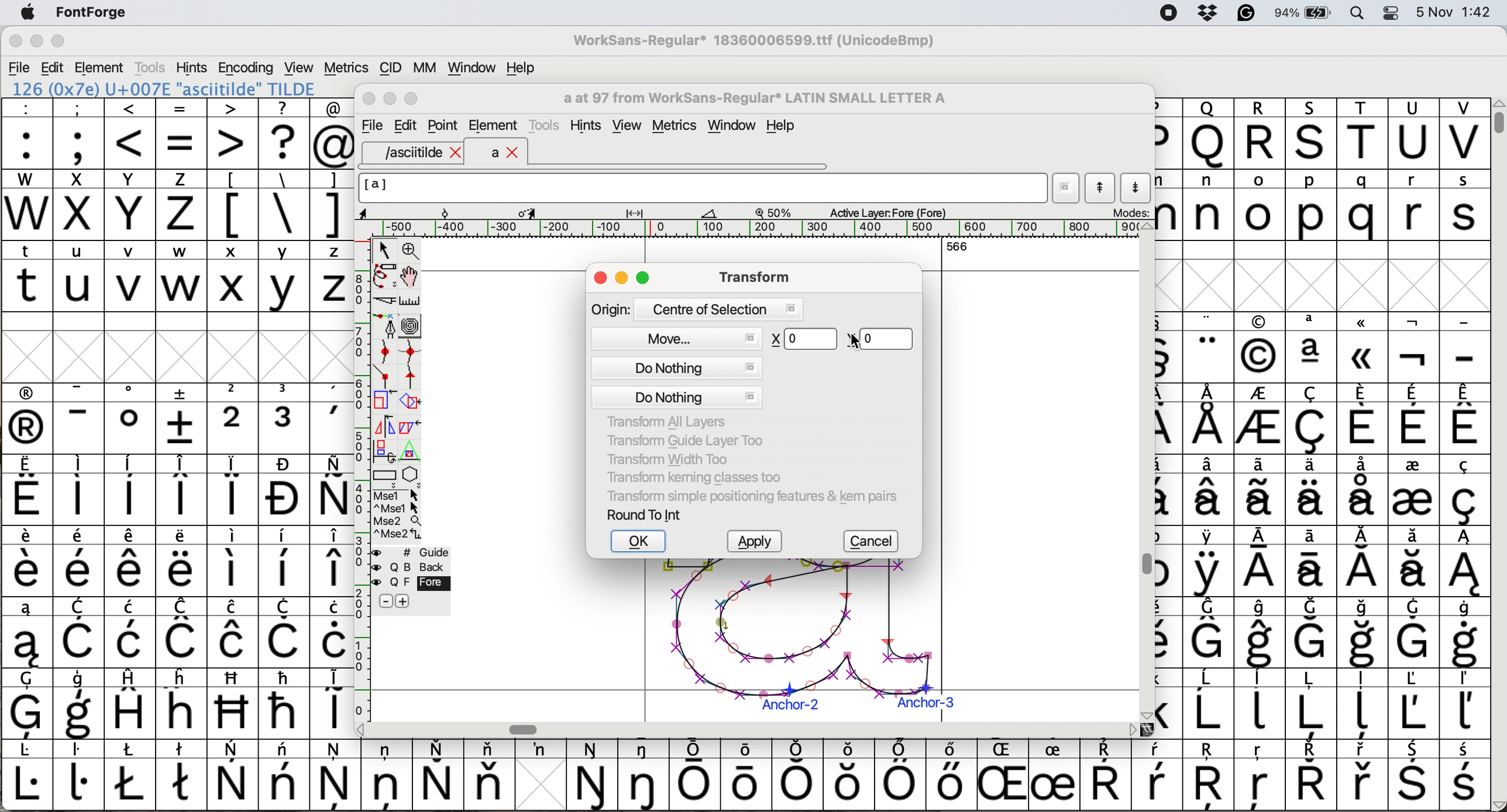  What do you see at coordinates (677, 383) in the screenshot?
I see `do nothing` at bounding box center [677, 383].